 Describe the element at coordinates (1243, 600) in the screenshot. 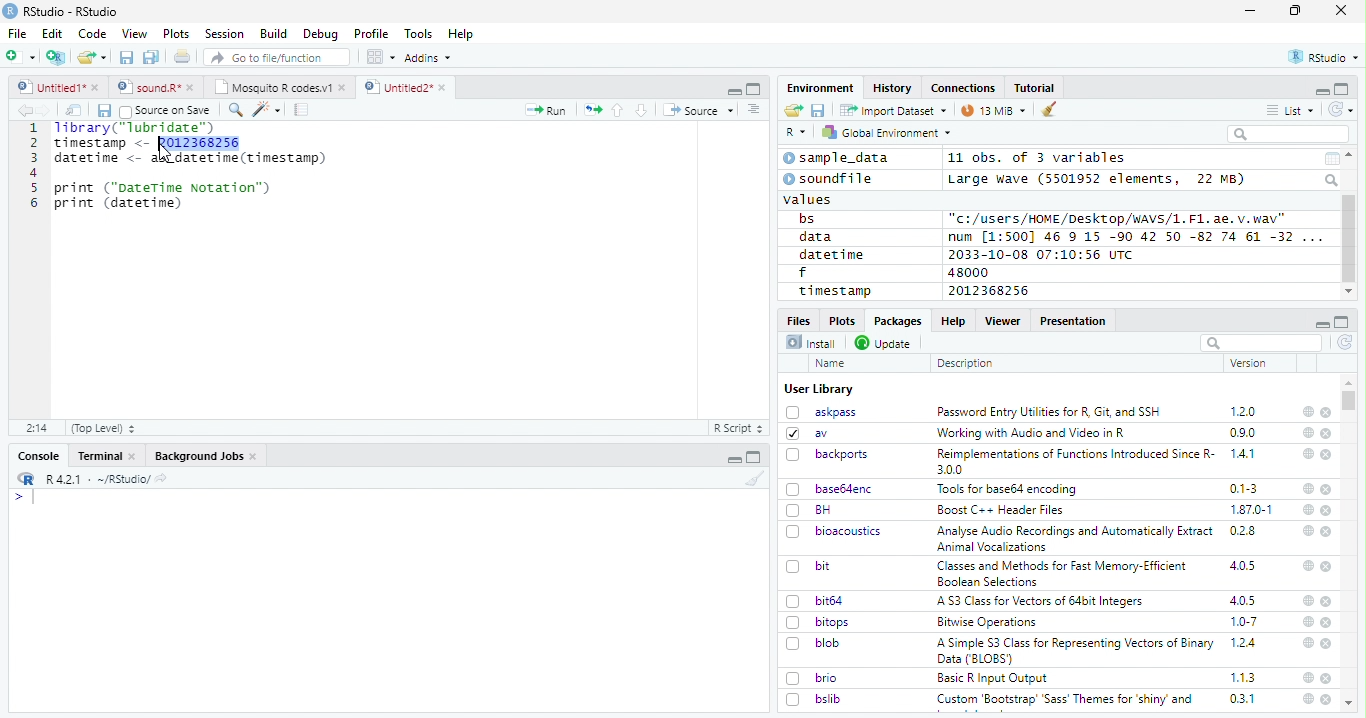

I see `4.0.5` at that location.